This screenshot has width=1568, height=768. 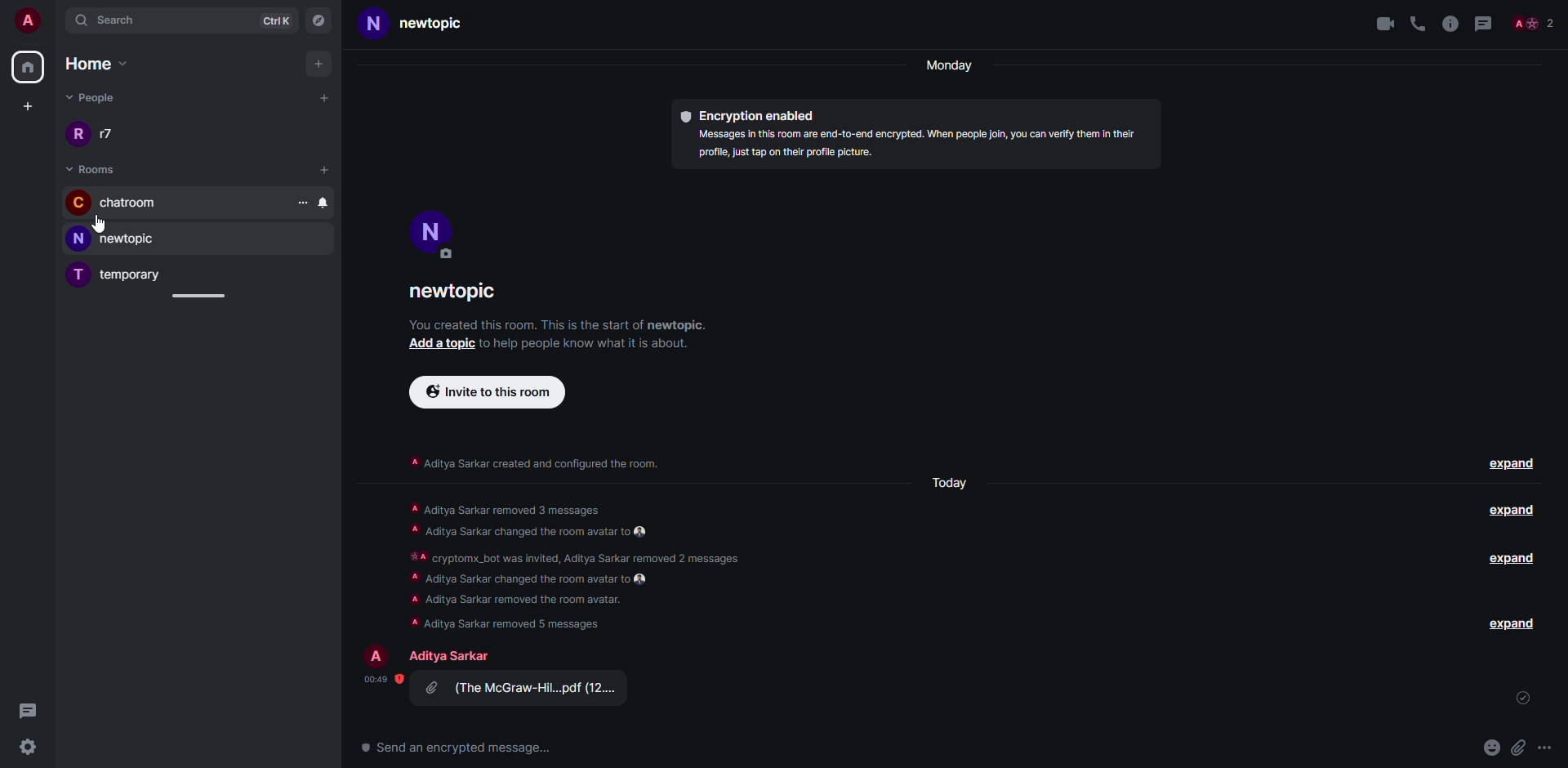 What do you see at coordinates (1507, 557) in the screenshot?
I see `expand` at bounding box center [1507, 557].